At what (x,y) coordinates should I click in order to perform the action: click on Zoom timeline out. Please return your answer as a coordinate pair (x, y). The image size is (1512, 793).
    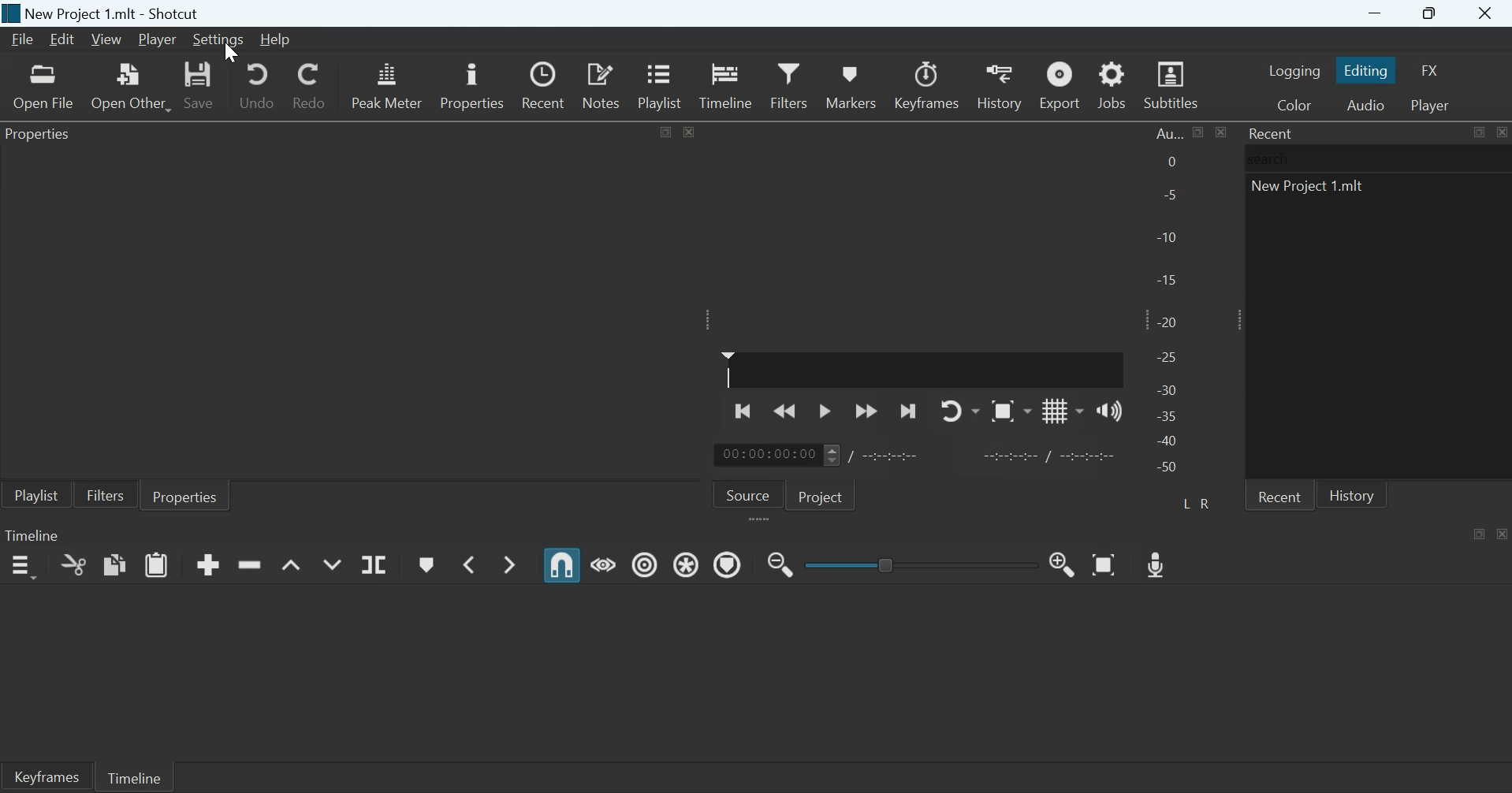
    Looking at the image, I should click on (1063, 564).